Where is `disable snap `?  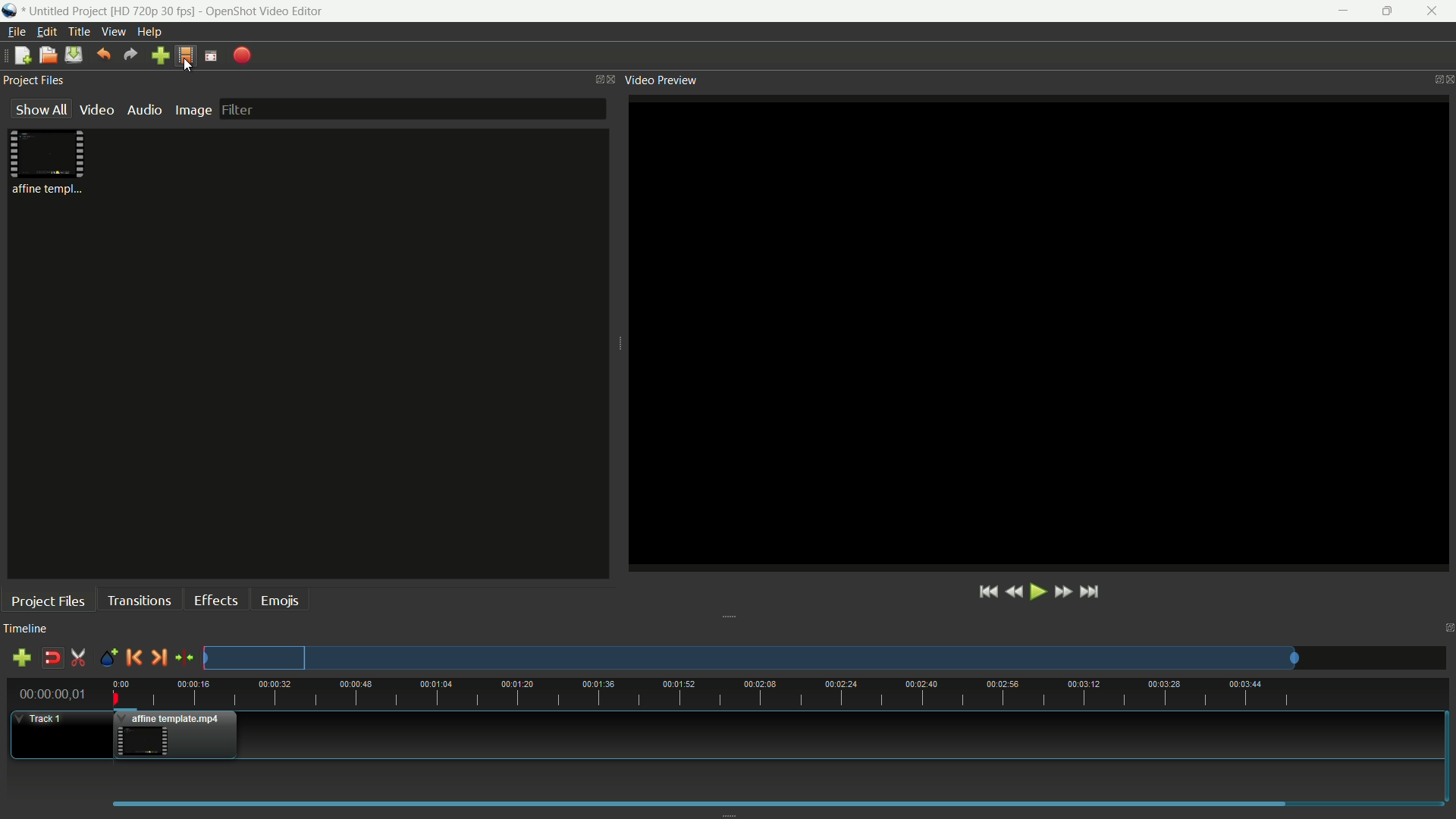
disable snap  is located at coordinates (52, 659).